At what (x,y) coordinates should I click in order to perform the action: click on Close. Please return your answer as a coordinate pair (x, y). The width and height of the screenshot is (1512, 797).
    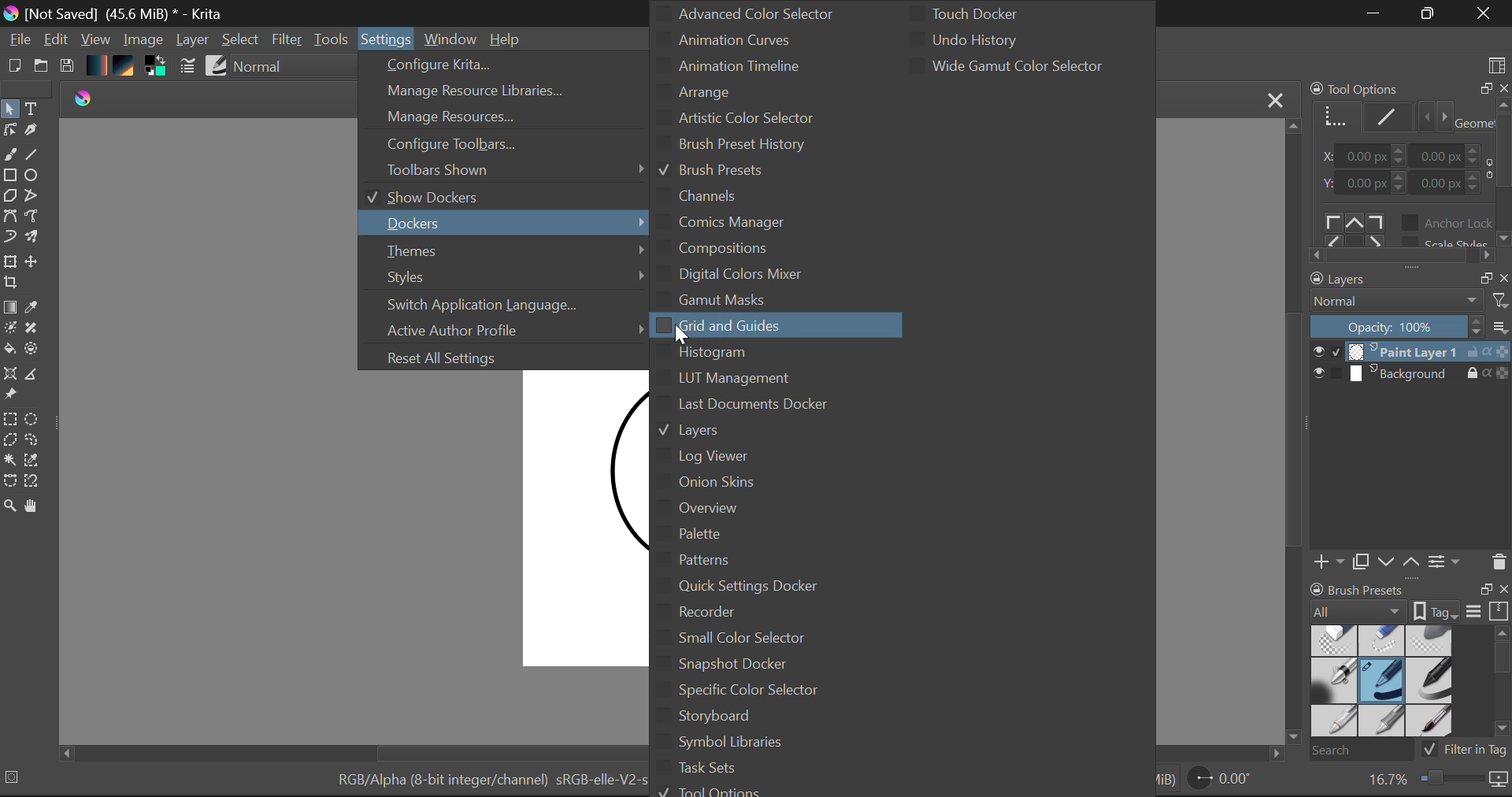
    Looking at the image, I should click on (1275, 99).